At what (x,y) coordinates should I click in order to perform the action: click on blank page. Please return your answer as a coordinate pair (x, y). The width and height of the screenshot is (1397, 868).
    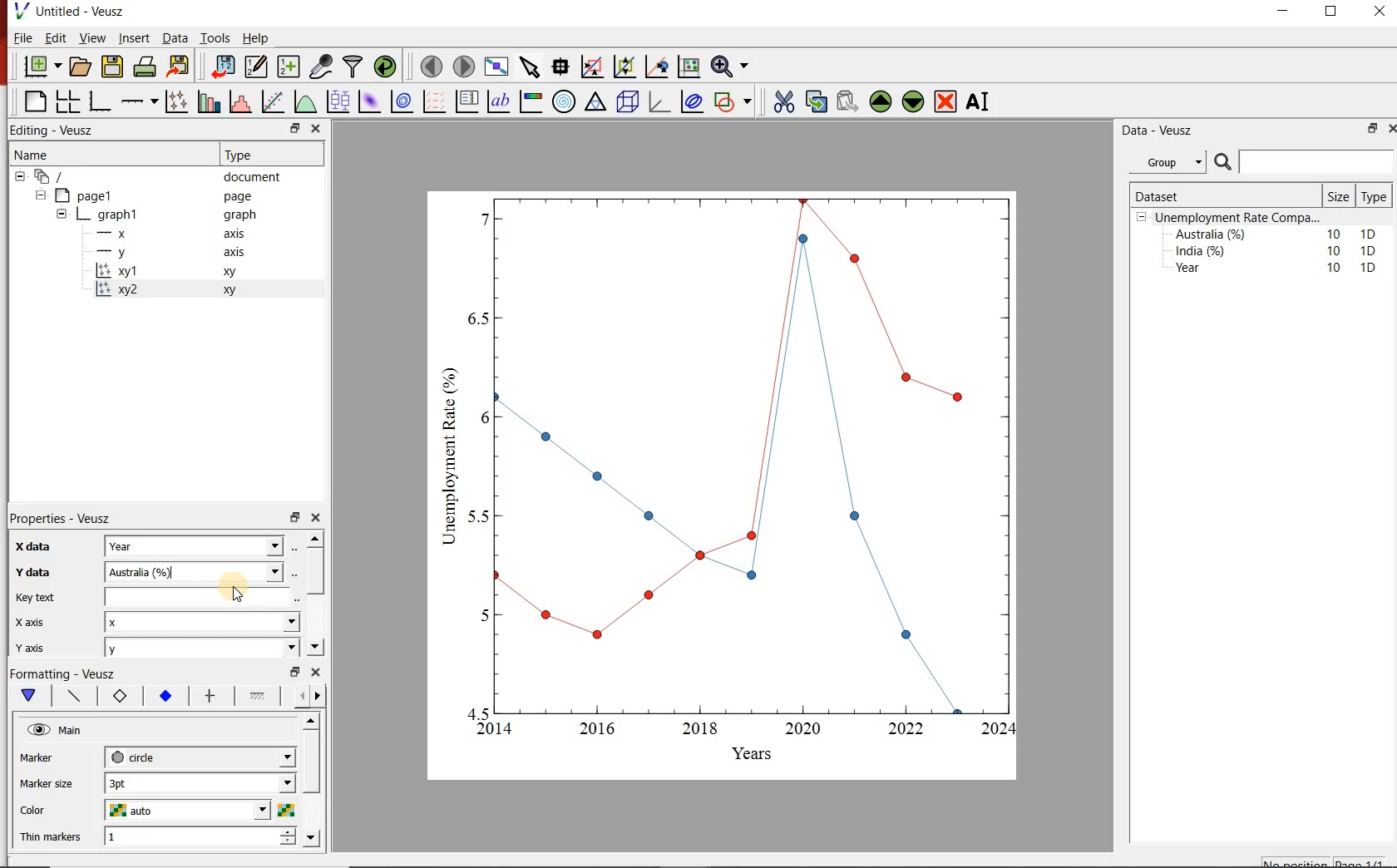
    Looking at the image, I should click on (34, 100).